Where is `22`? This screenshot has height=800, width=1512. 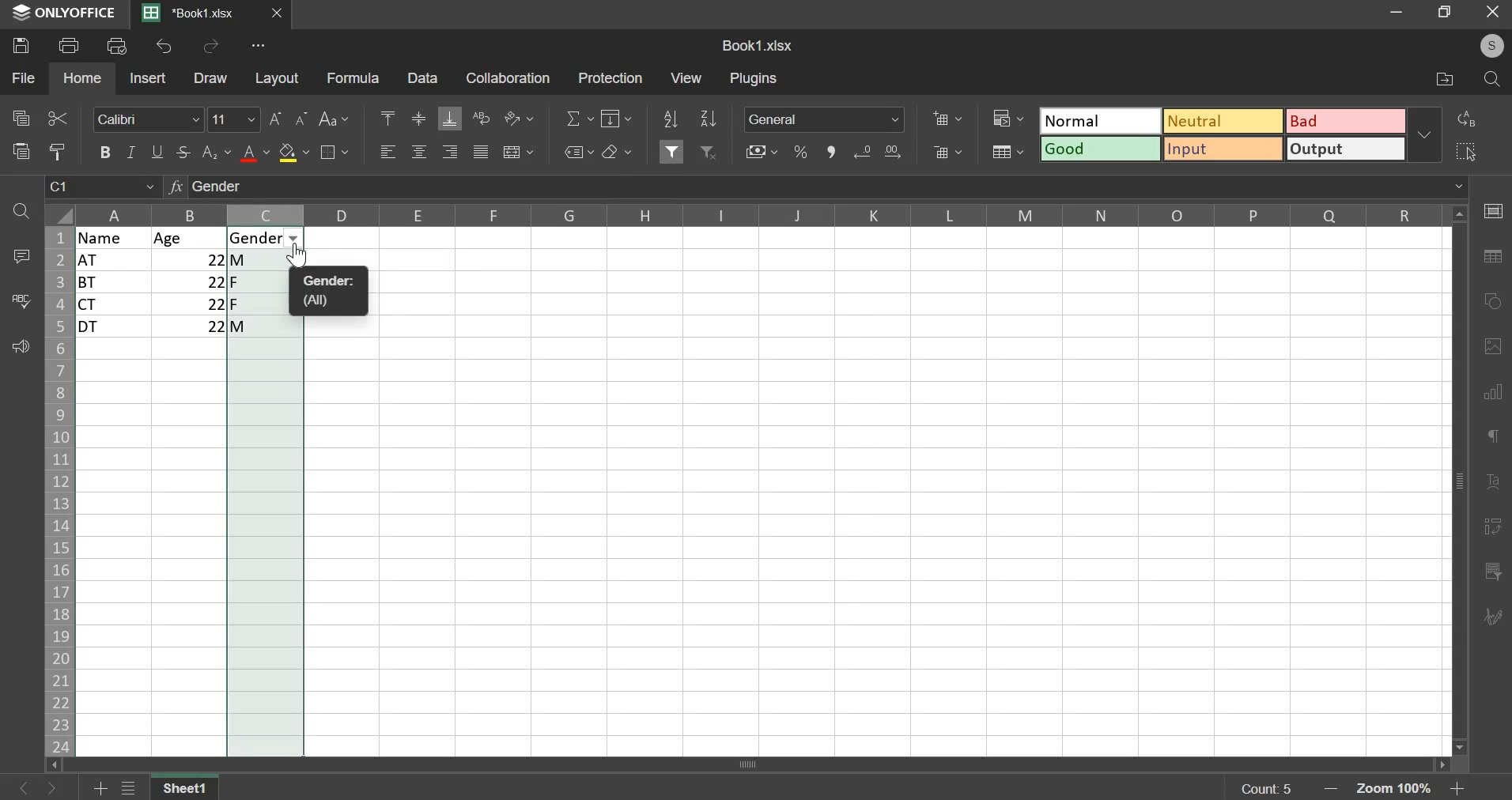 22 is located at coordinates (191, 259).